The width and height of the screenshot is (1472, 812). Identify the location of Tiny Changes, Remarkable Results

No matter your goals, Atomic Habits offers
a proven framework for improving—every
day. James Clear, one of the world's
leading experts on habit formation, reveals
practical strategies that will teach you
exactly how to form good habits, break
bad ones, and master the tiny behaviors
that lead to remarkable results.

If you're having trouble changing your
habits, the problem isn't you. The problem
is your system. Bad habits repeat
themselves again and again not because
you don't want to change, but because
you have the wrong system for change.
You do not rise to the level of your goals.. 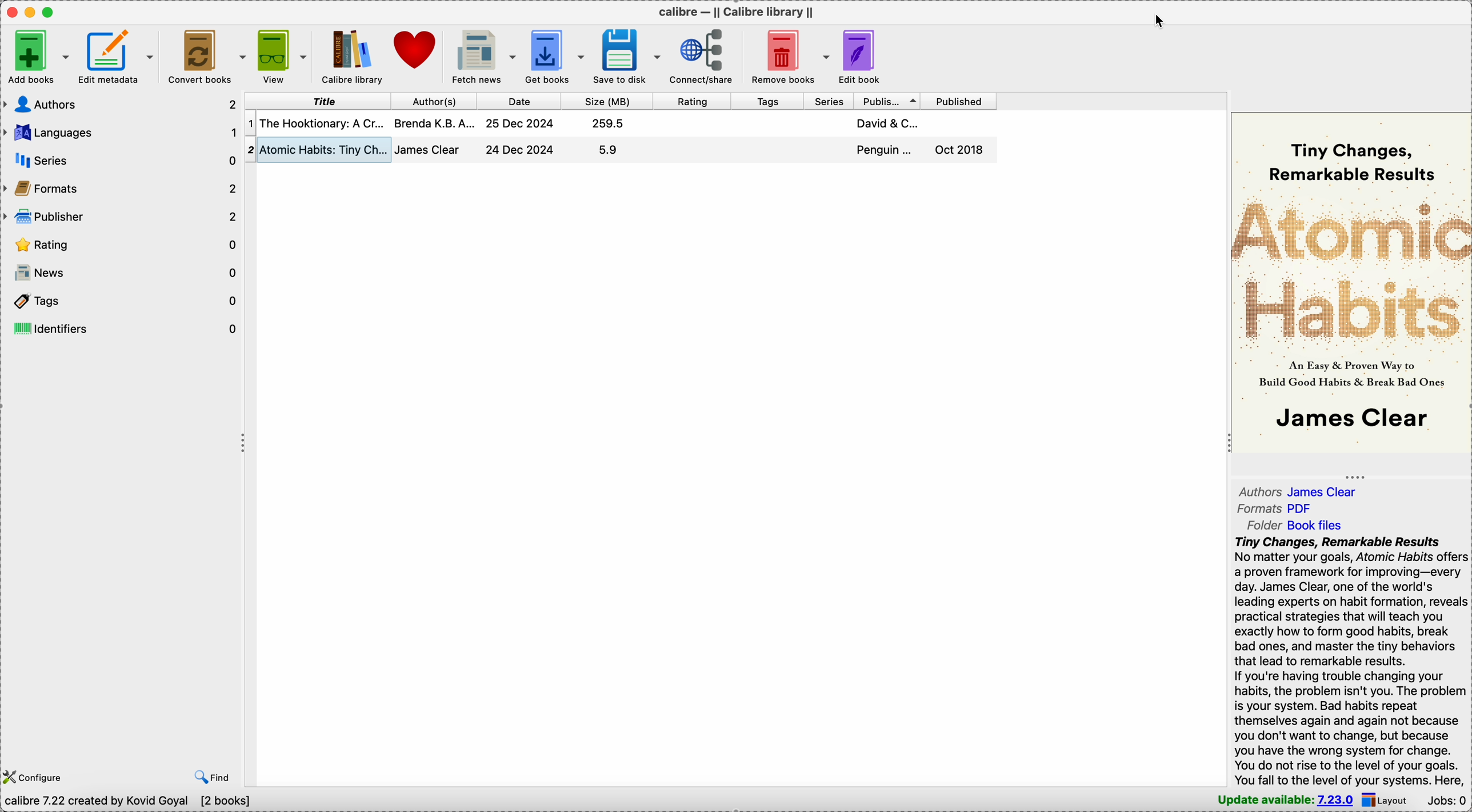
(1348, 661).